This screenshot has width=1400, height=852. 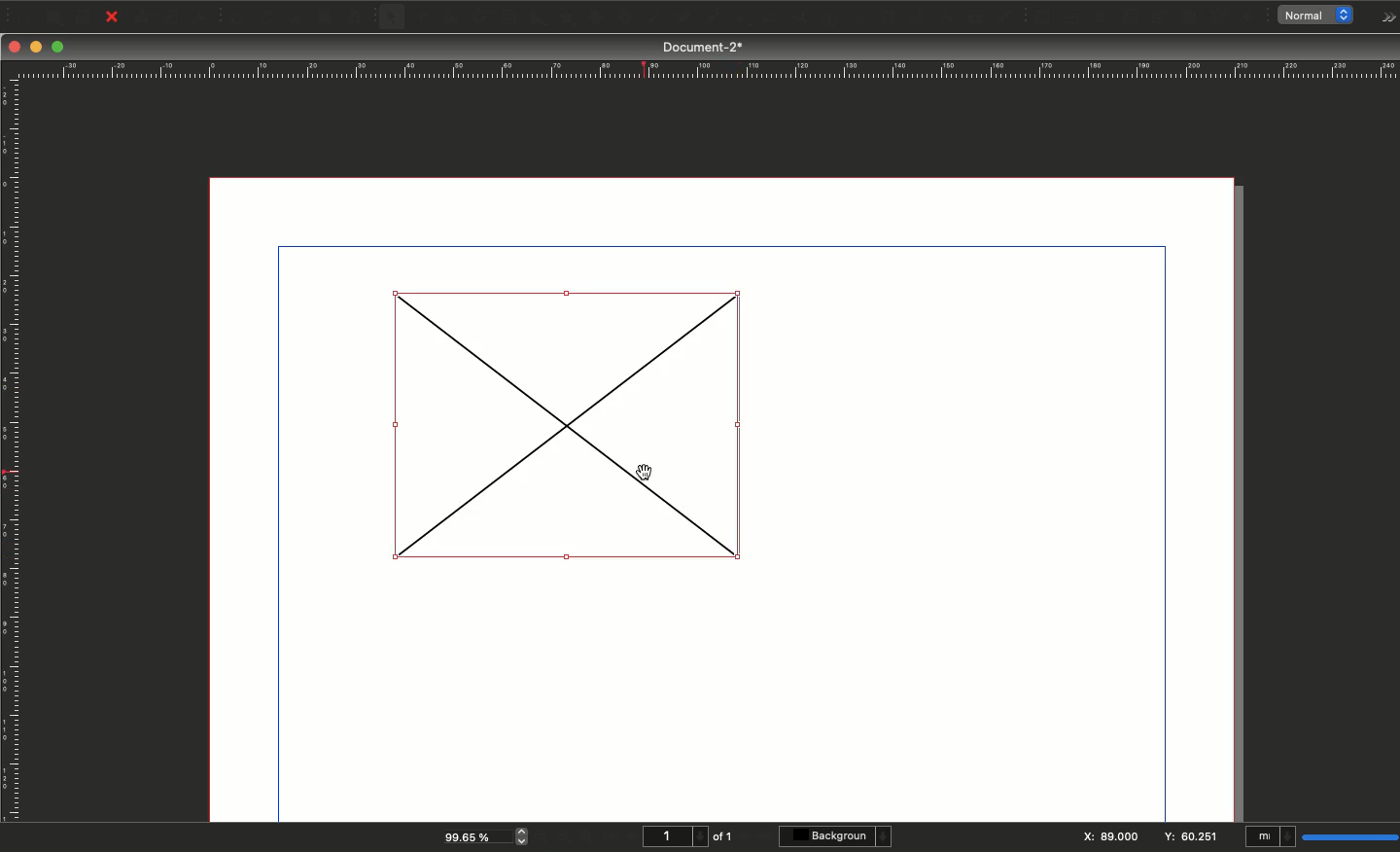 I want to click on Close, so click(x=112, y=18).